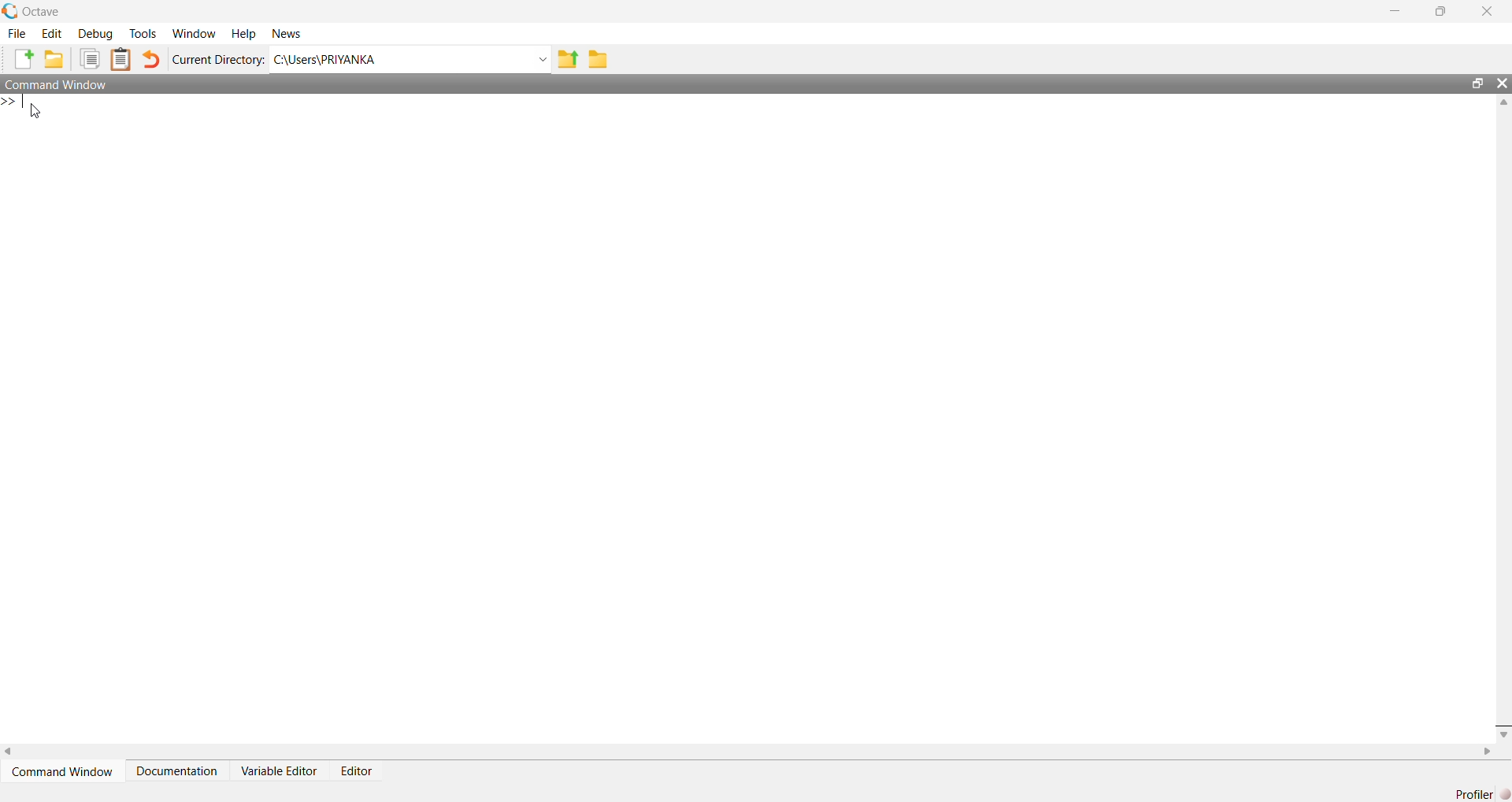 This screenshot has height=802, width=1512. Describe the element at coordinates (90, 58) in the screenshot. I see `copy` at that location.